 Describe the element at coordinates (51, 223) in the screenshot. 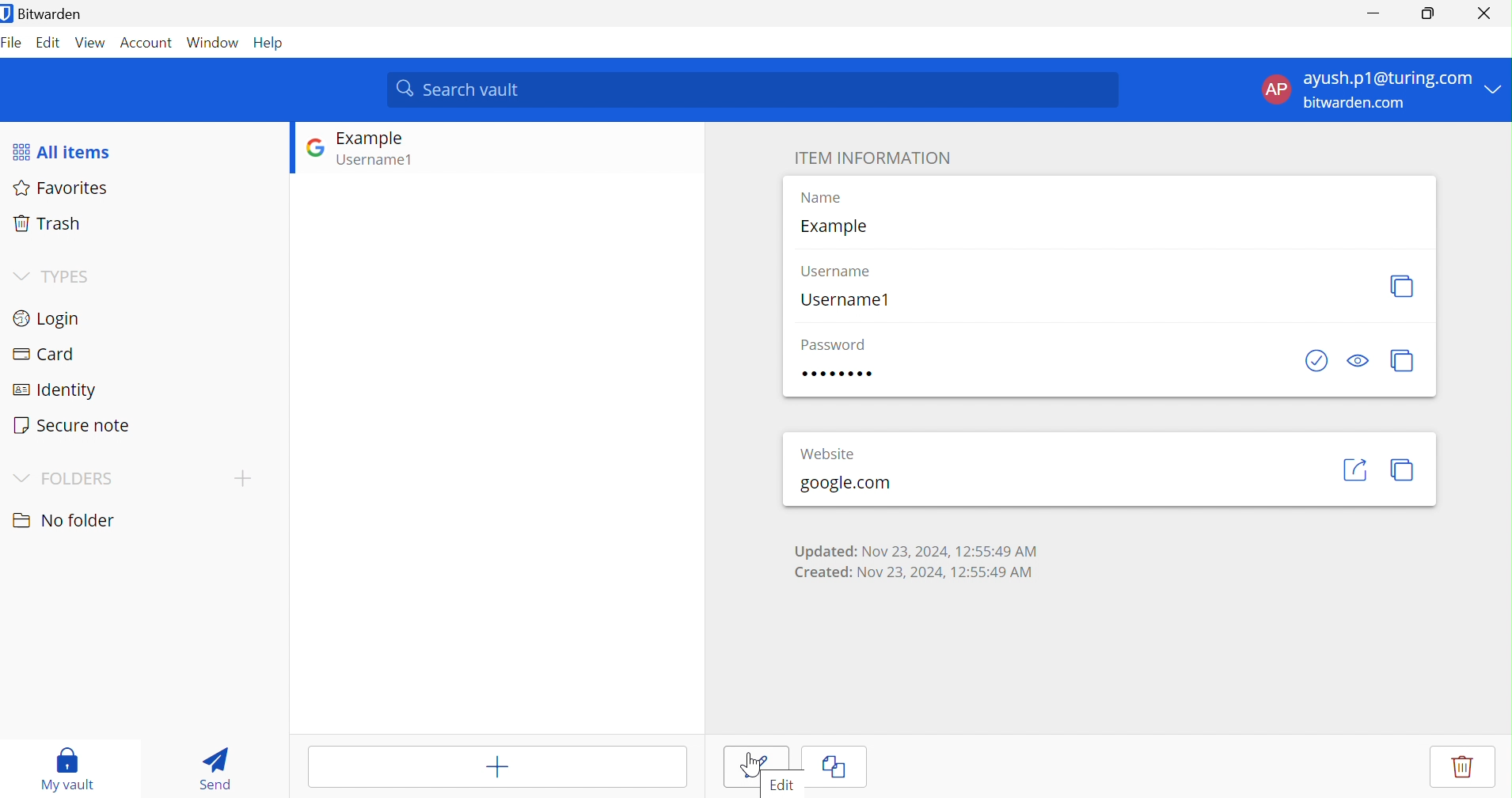

I see `` at that location.